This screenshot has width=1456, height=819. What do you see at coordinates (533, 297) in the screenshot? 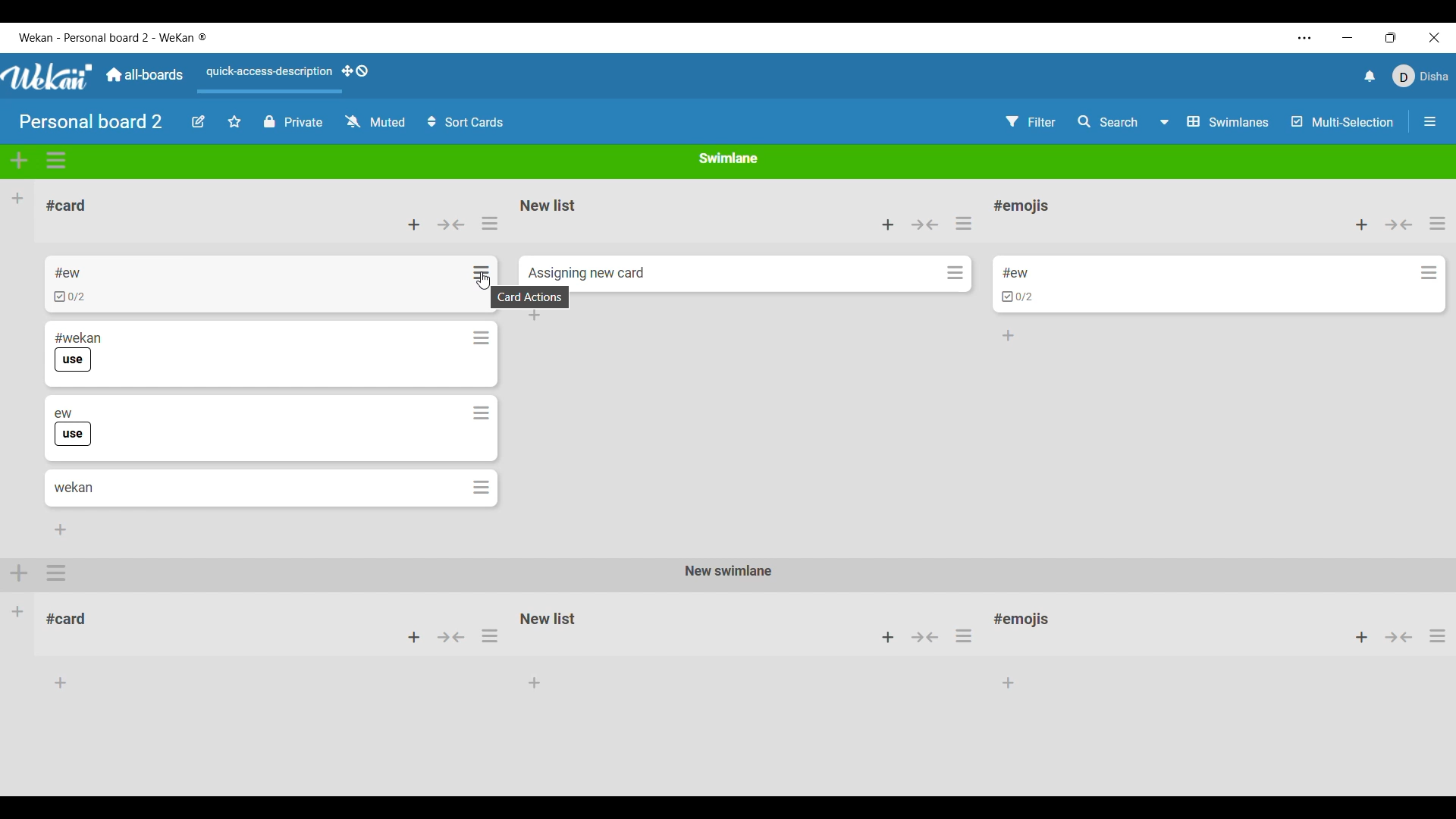
I see `Description of slected icon` at bounding box center [533, 297].